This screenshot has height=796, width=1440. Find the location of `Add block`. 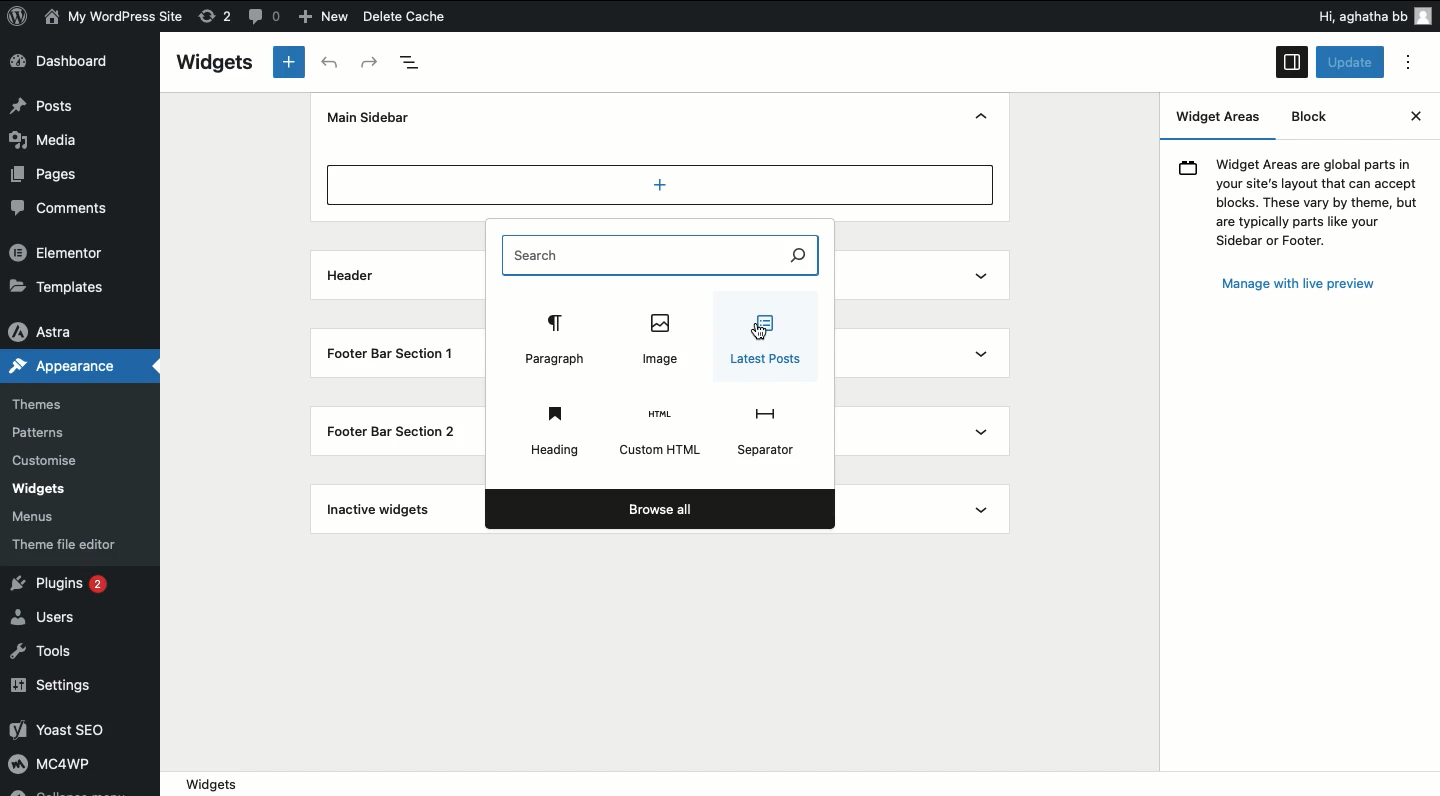

Add block is located at coordinates (660, 184).